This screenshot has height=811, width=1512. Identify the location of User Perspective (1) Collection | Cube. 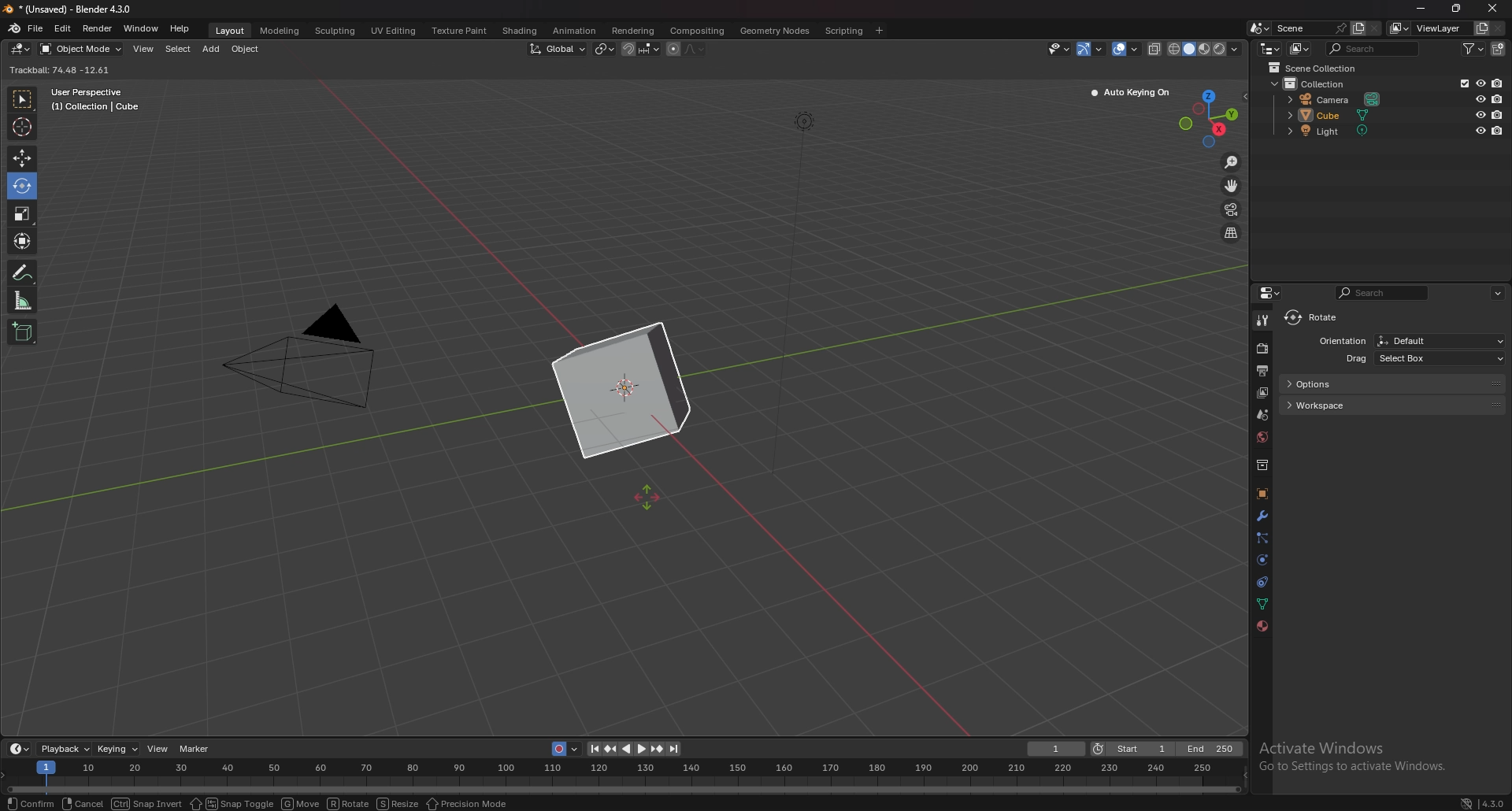
(96, 100).